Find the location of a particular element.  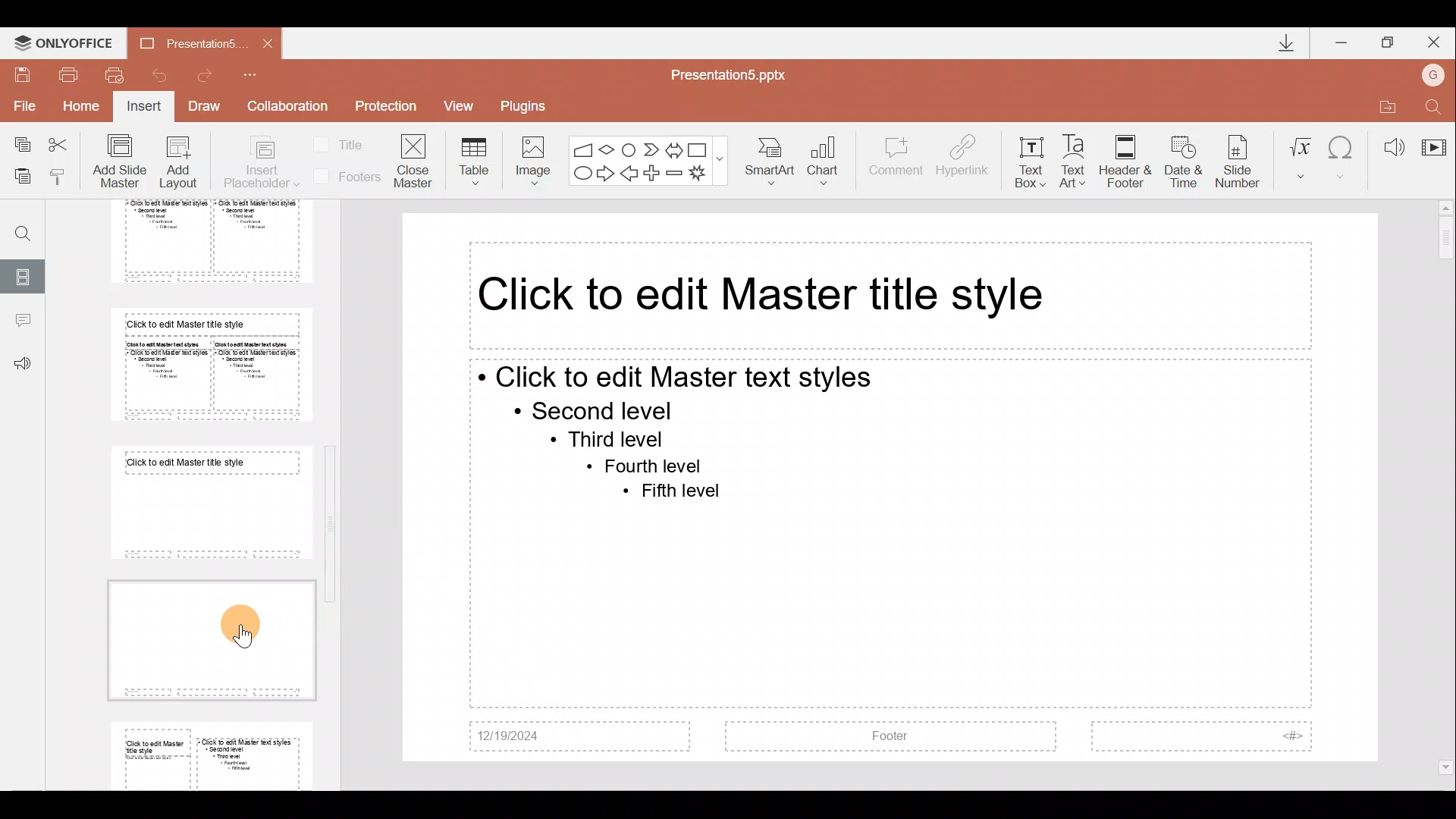

Cut is located at coordinates (62, 144).